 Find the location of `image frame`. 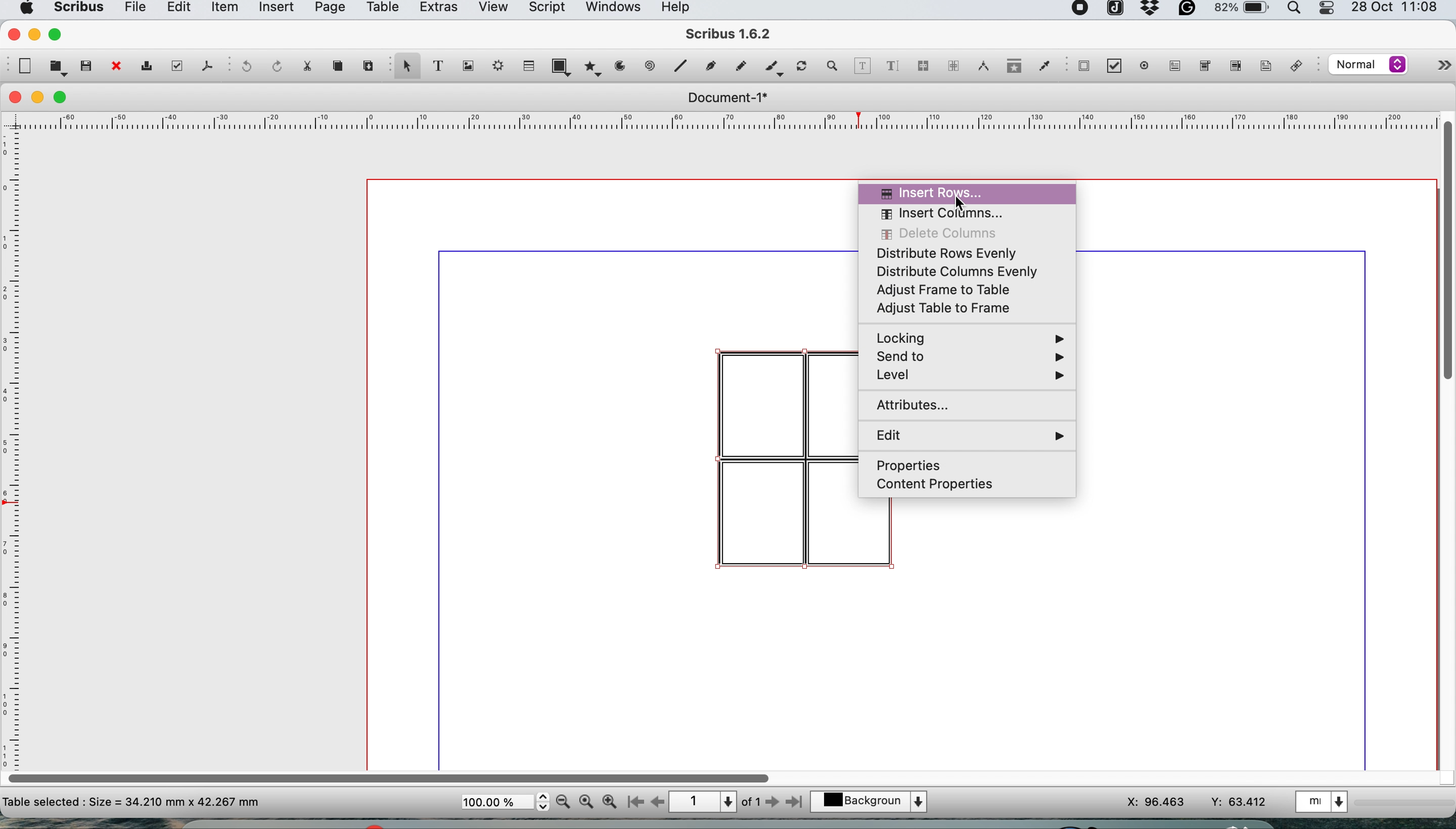

image frame is located at coordinates (466, 66).